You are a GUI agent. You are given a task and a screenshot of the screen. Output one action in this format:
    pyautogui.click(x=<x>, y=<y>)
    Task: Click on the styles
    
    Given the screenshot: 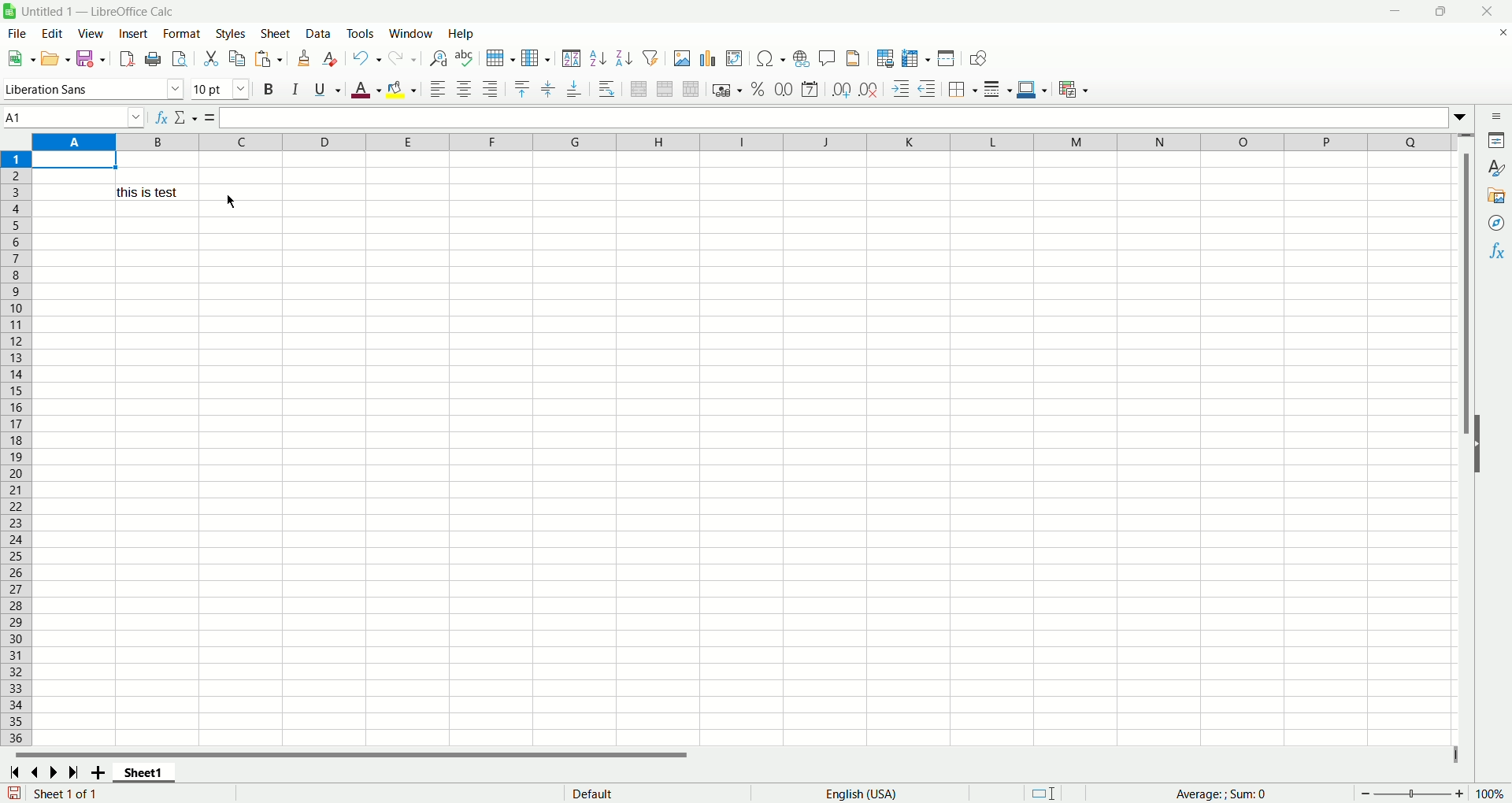 What is the action you would take?
    pyautogui.click(x=1496, y=168)
    